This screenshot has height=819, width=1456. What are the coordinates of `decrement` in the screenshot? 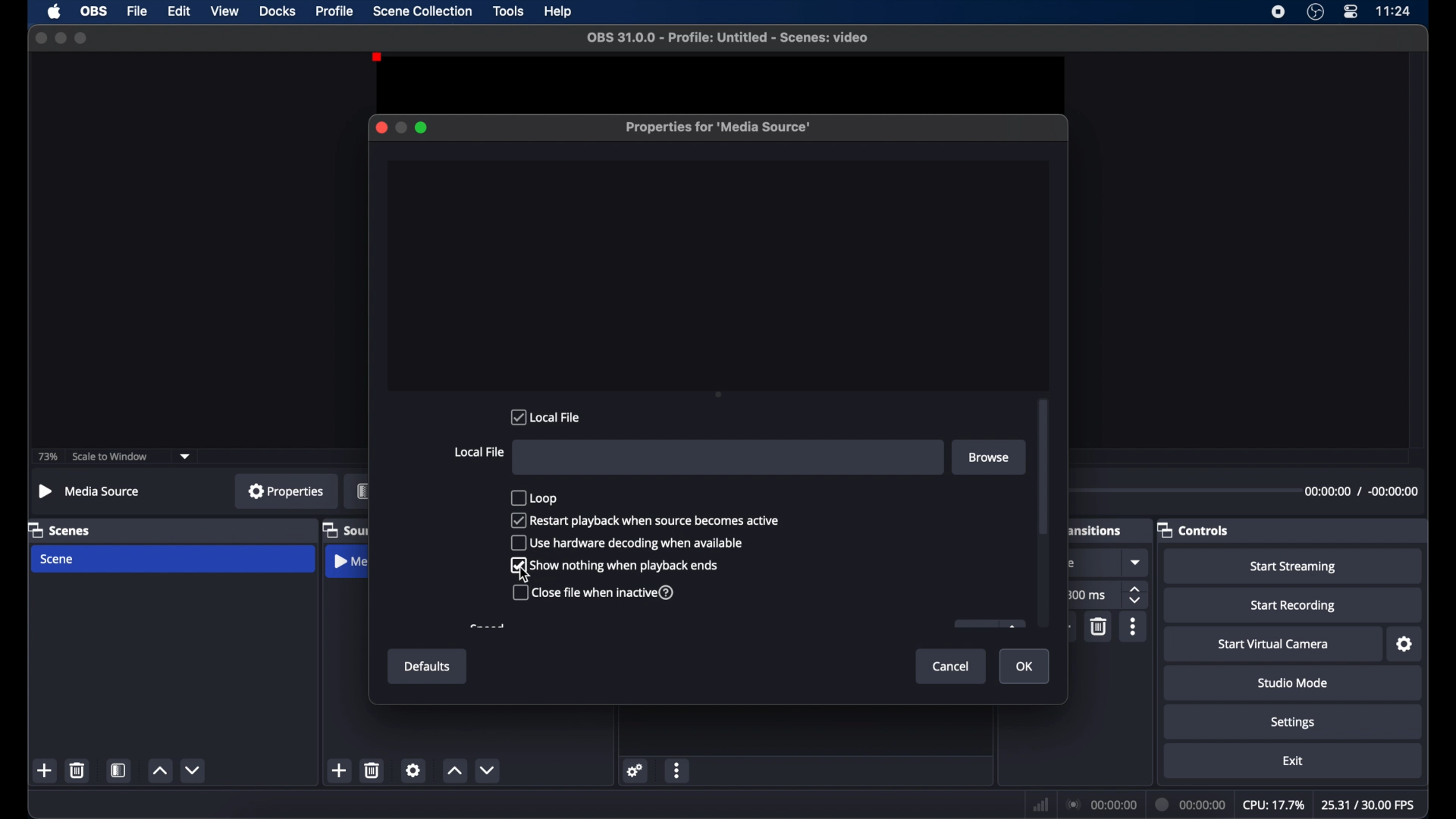 It's located at (486, 770).